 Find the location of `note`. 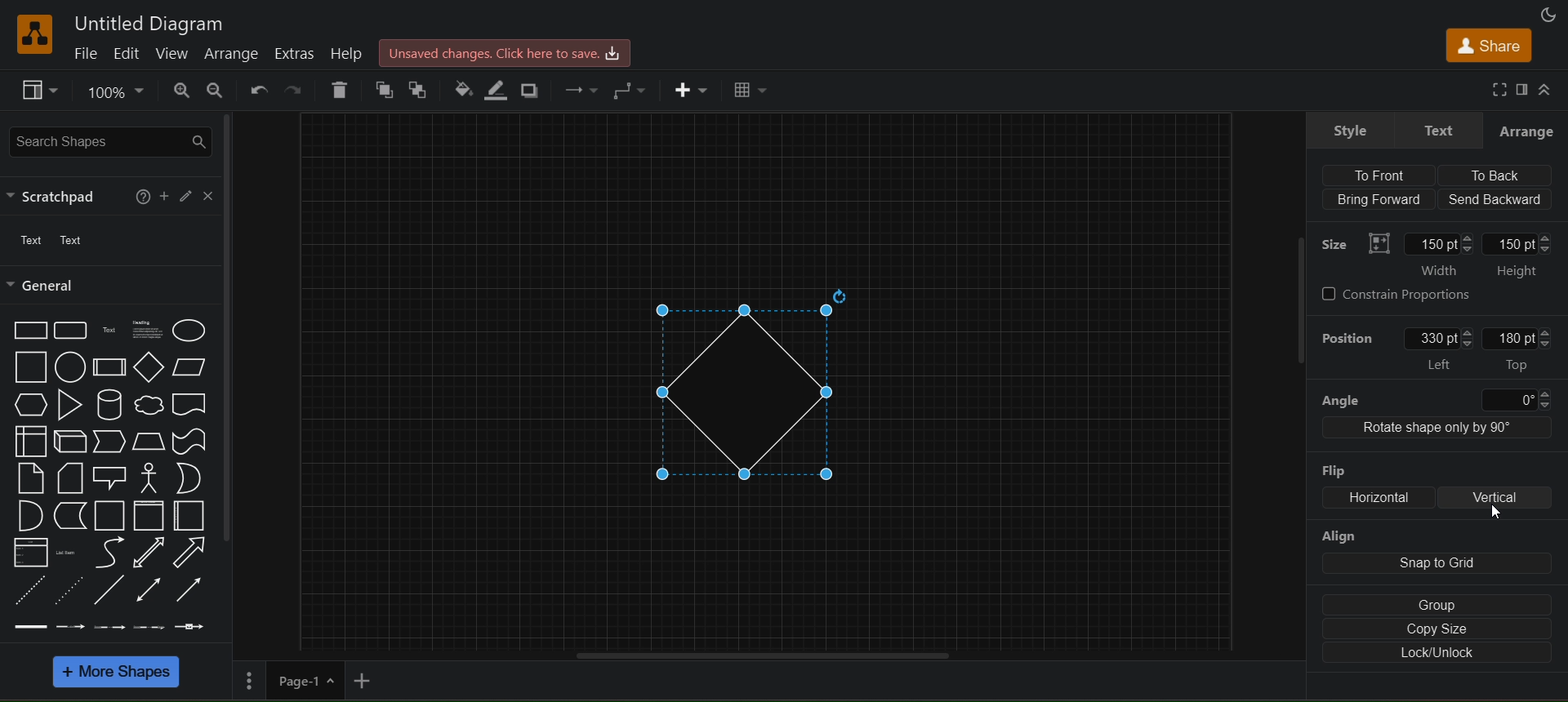

note is located at coordinates (30, 478).